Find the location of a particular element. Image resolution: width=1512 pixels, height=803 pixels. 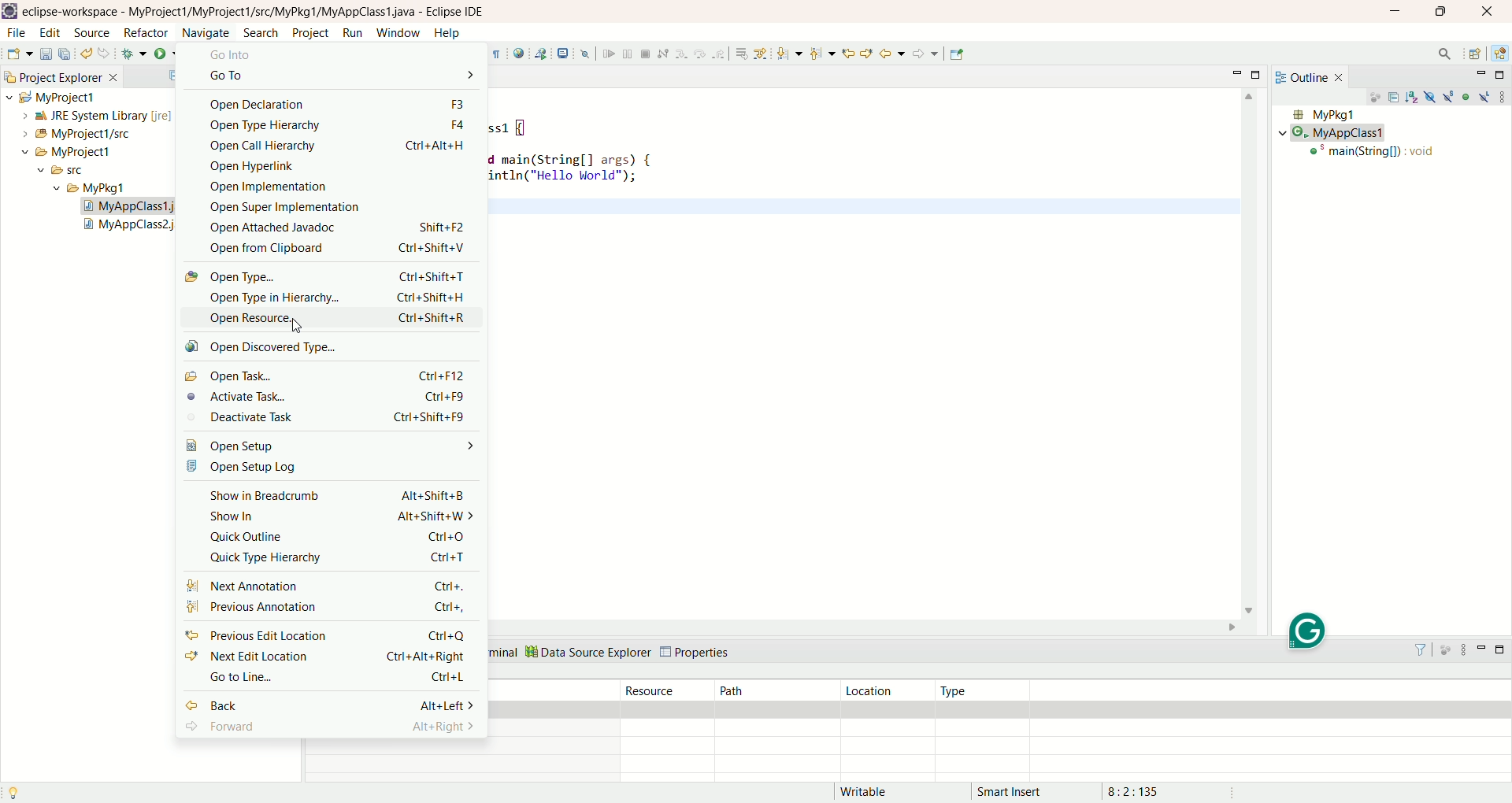

project1/src is located at coordinates (69, 134).